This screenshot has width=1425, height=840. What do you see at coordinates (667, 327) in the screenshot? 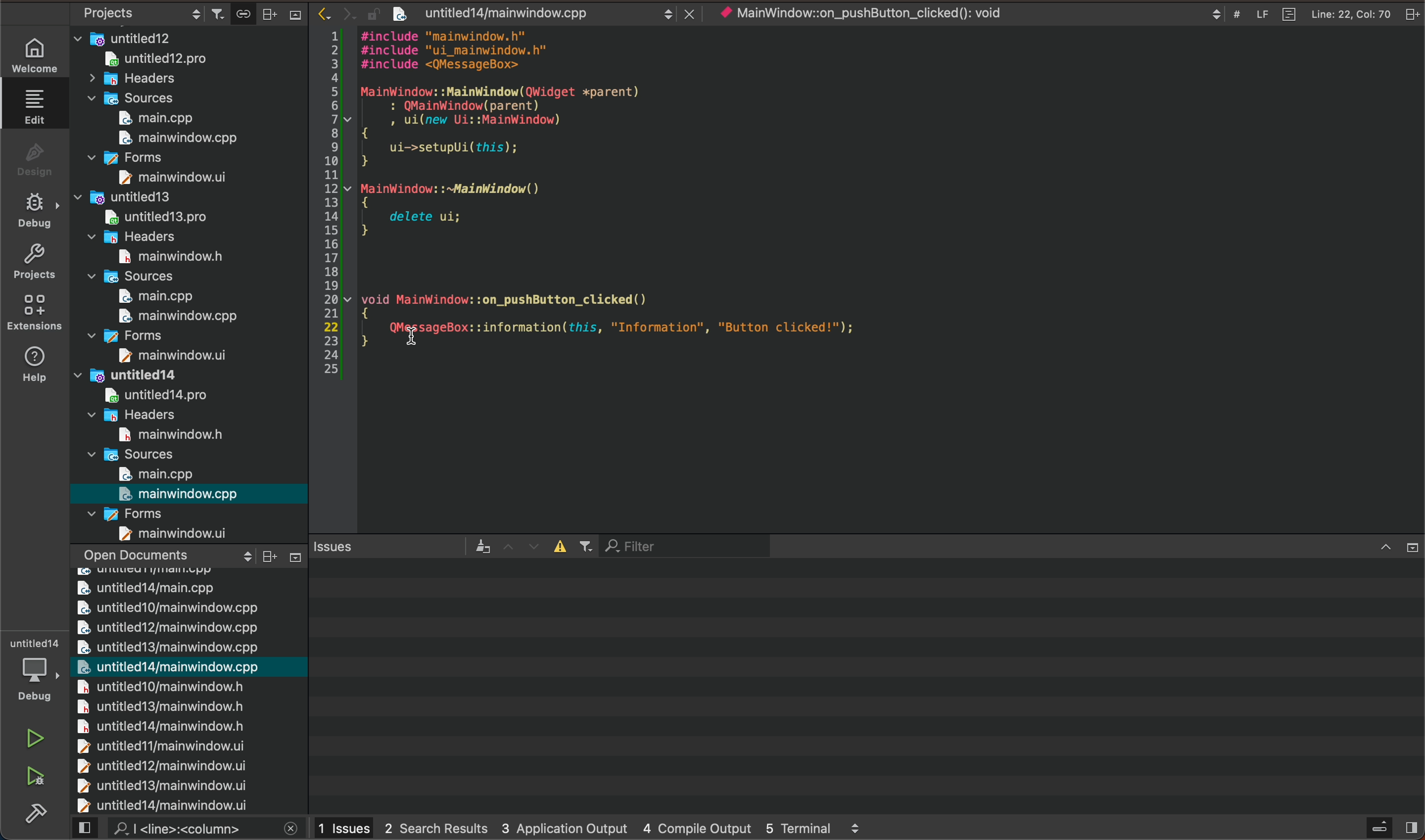
I see `text added` at bounding box center [667, 327].